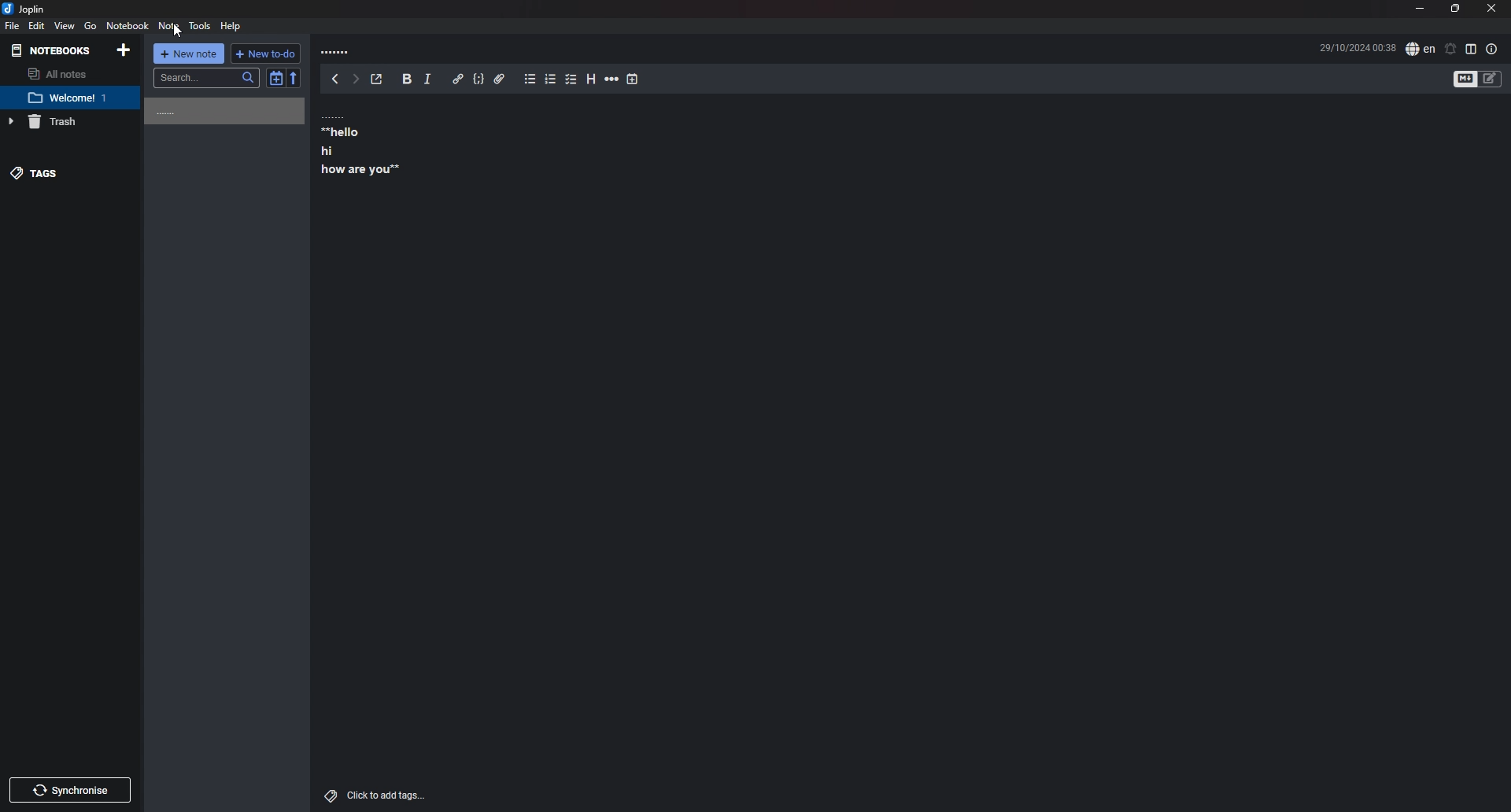 This screenshot has height=812, width=1511. What do you see at coordinates (1471, 50) in the screenshot?
I see `Toggle editor layout` at bounding box center [1471, 50].